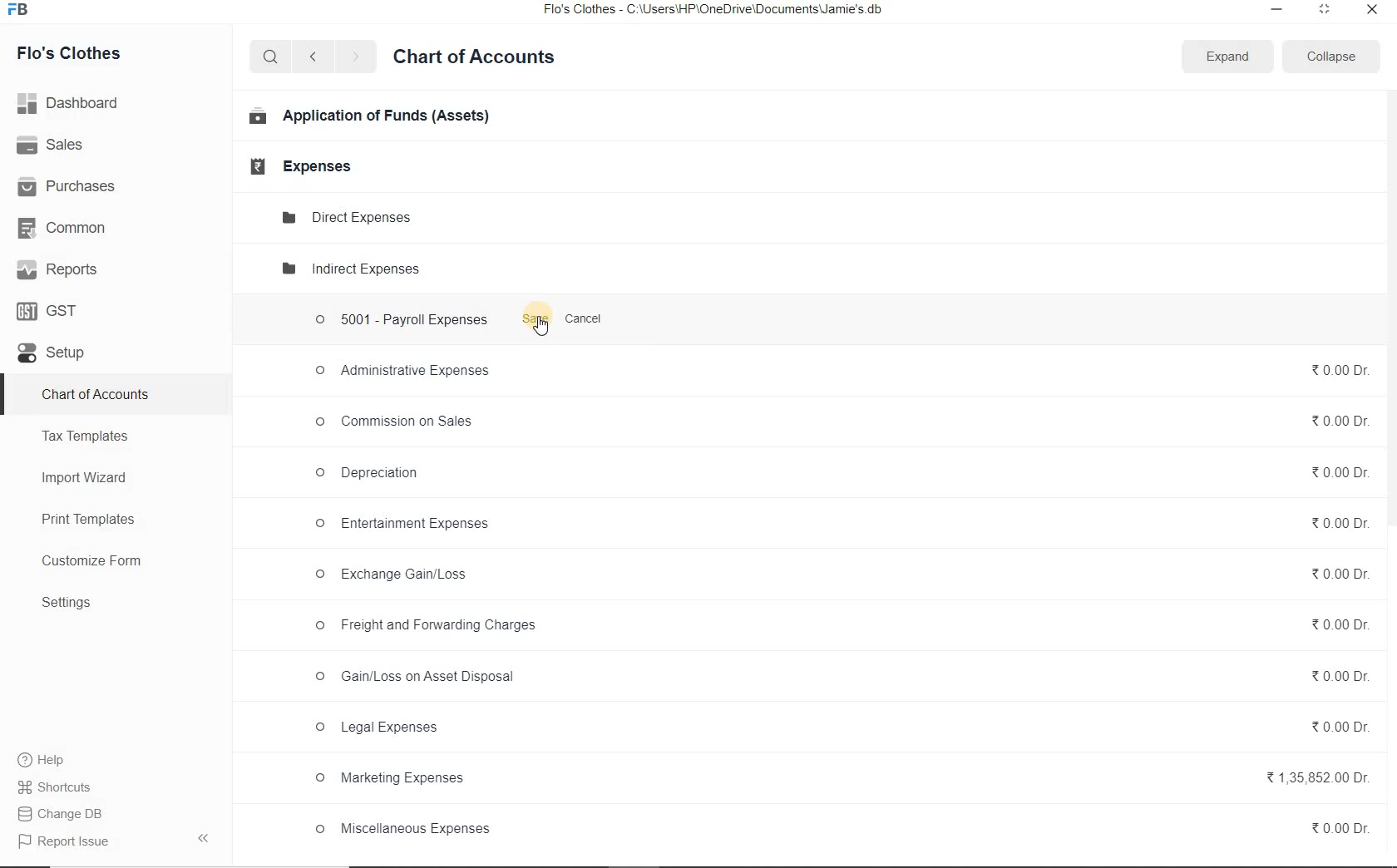 This screenshot has height=868, width=1397. I want to click on Sales, so click(53, 145).